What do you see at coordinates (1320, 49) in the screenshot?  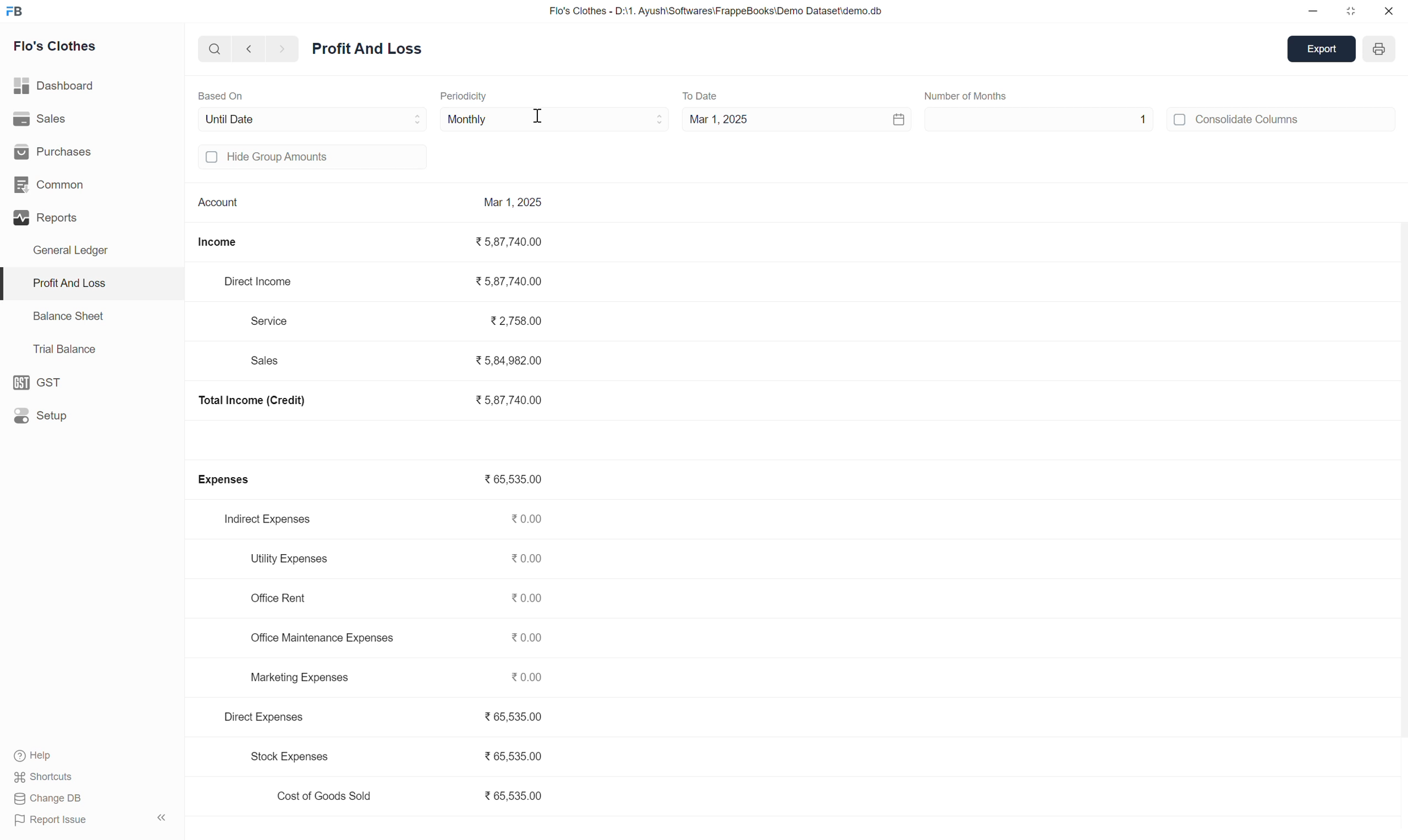 I see `Export` at bounding box center [1320, 49].